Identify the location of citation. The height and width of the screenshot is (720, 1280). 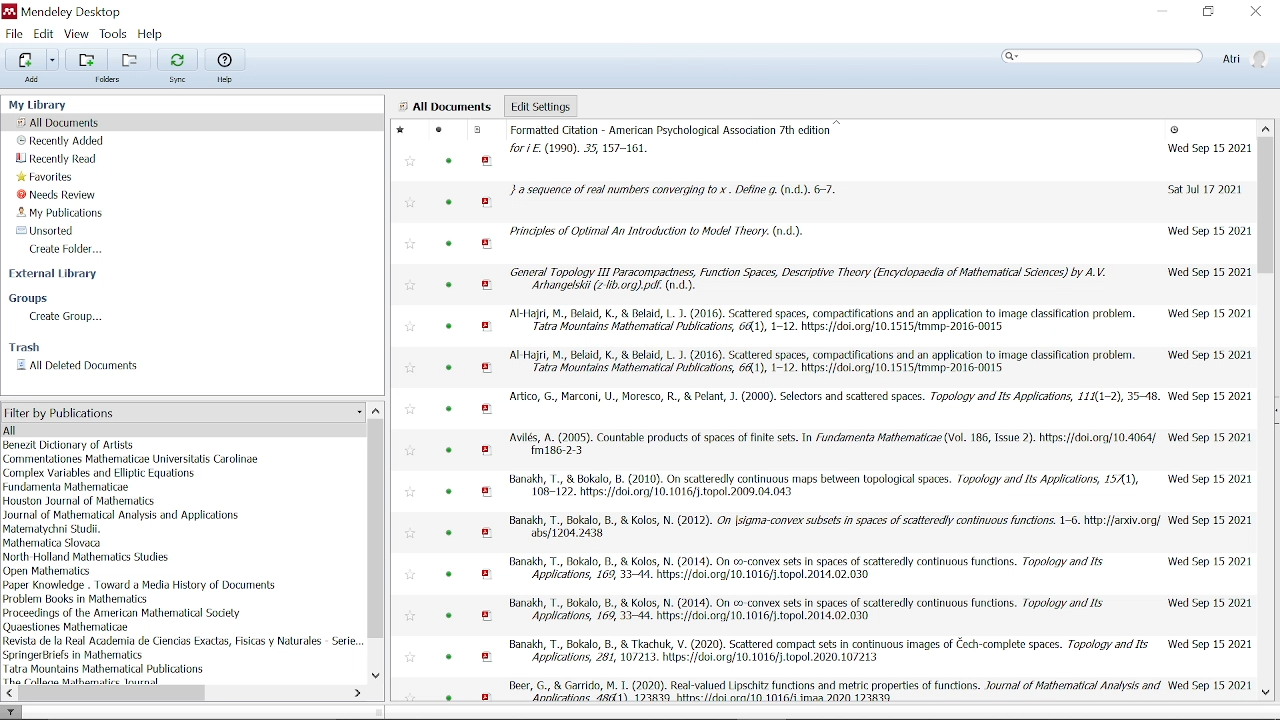
(825, 364).